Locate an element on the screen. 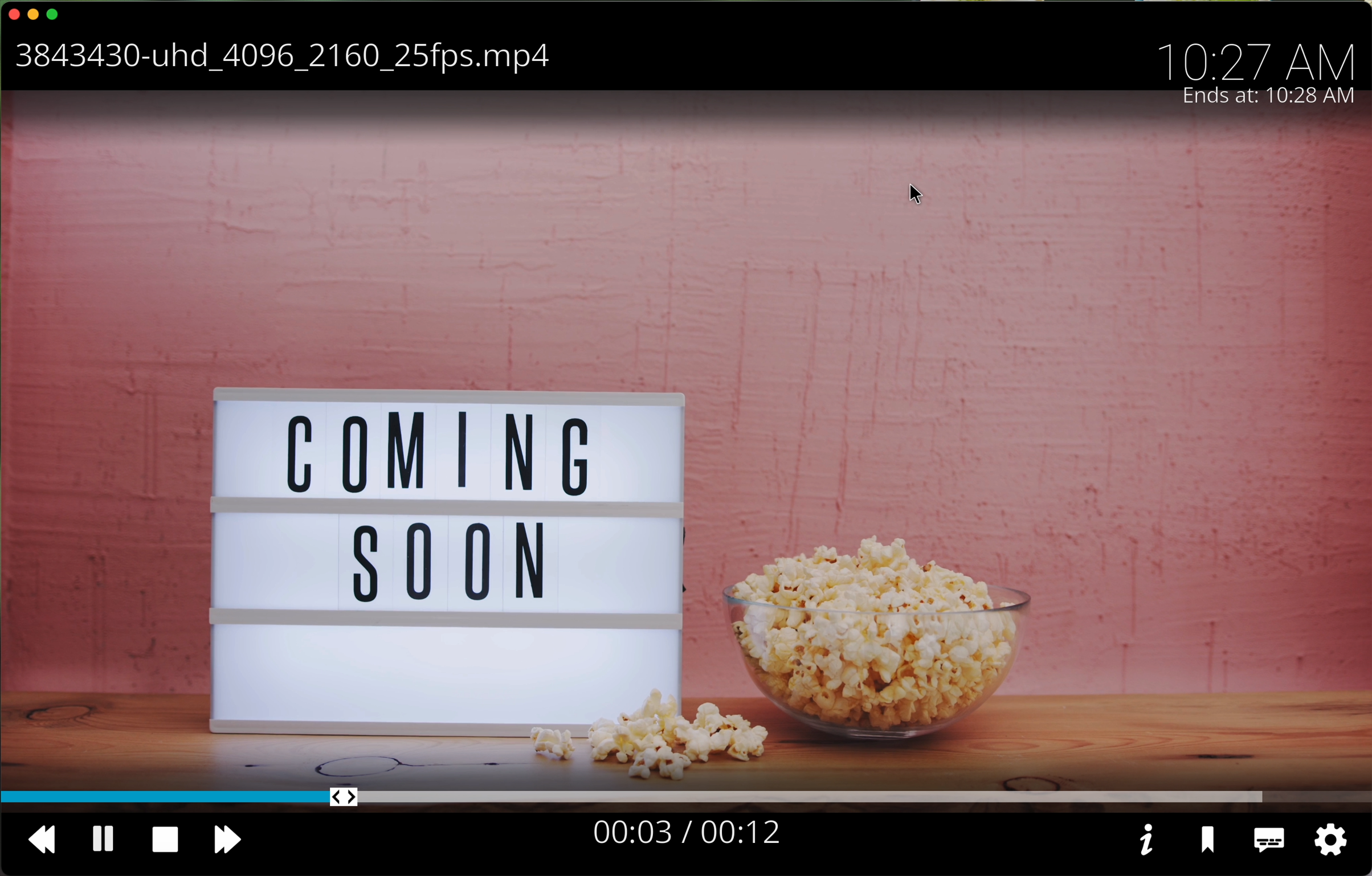 Image resolution: width=1372 pixels, height=876 pixels. settings is located at coordinates (1332, 840).